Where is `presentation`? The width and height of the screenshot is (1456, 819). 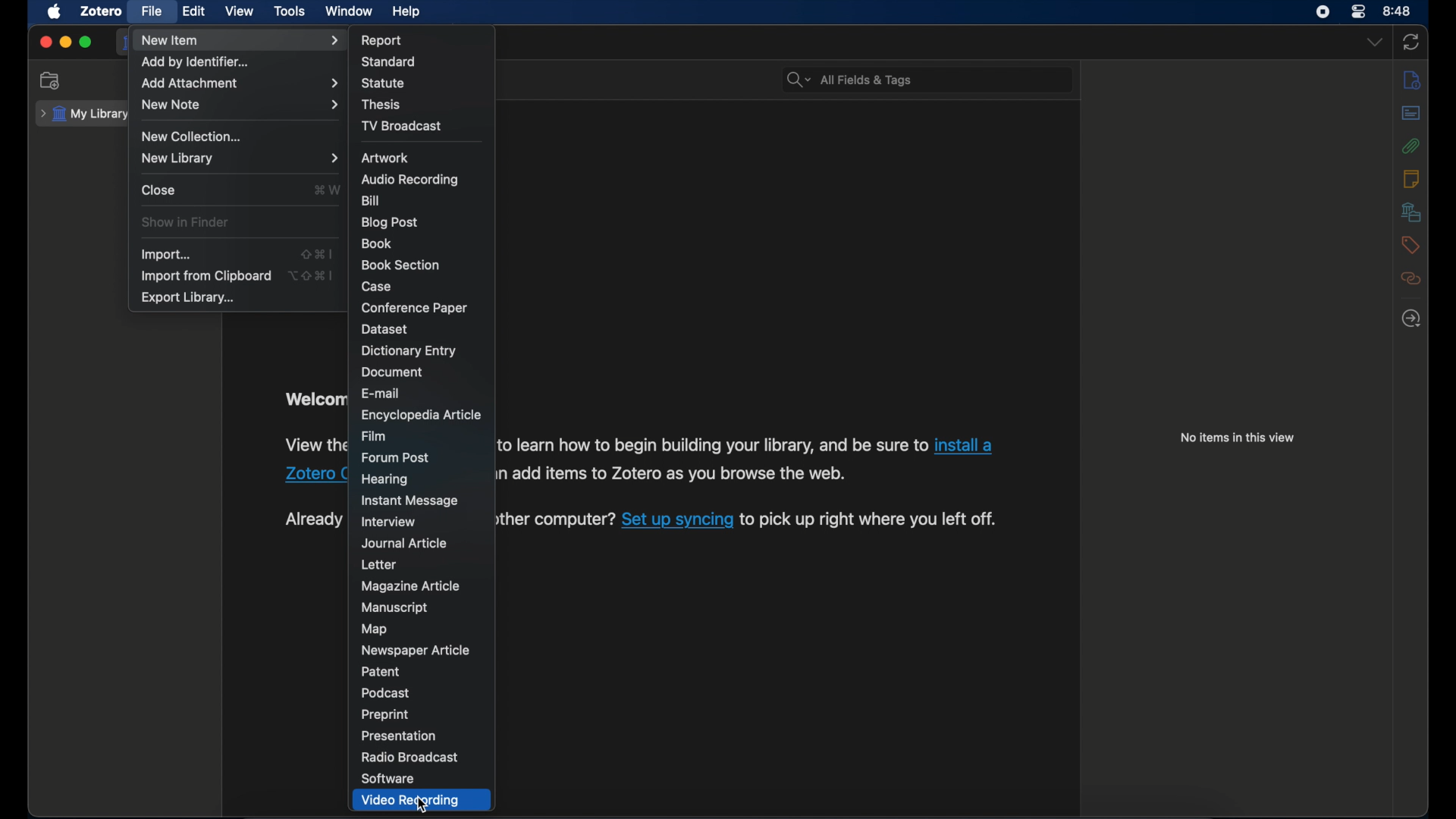 presentation is located at coordinates (399, 736).